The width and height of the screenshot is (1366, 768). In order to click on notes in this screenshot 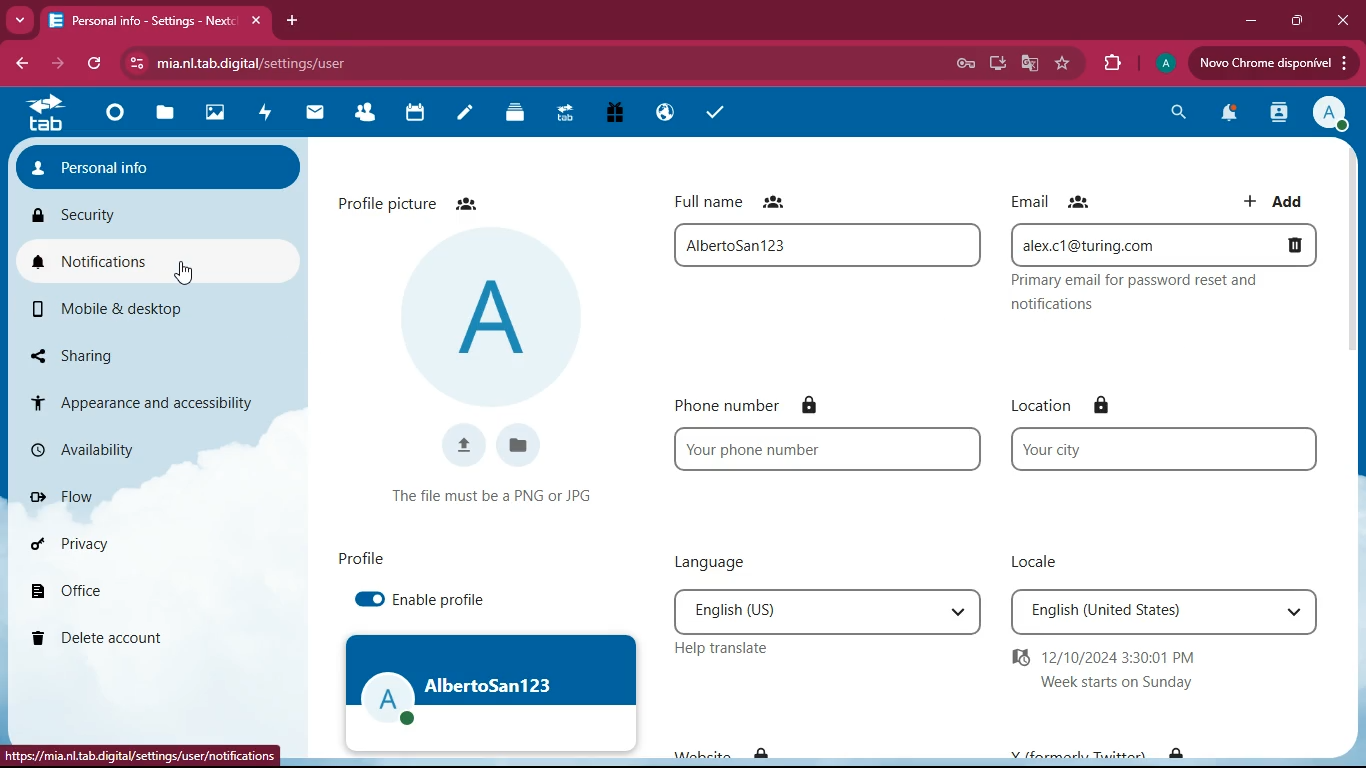, I will do `click(465, 113)`.